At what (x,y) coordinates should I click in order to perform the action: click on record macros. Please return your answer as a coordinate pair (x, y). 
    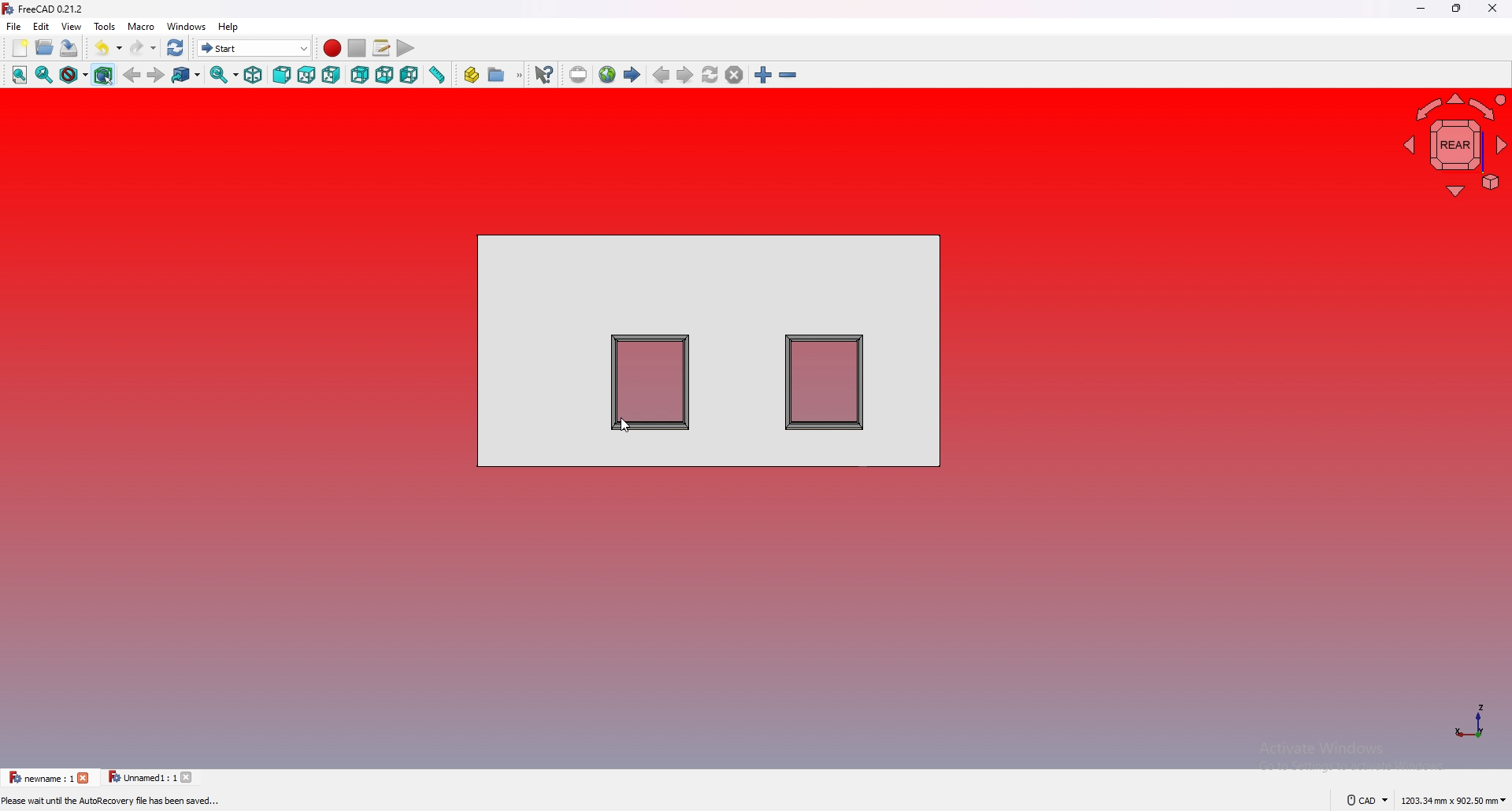
    Looking at the image, I should click on (333, 48).